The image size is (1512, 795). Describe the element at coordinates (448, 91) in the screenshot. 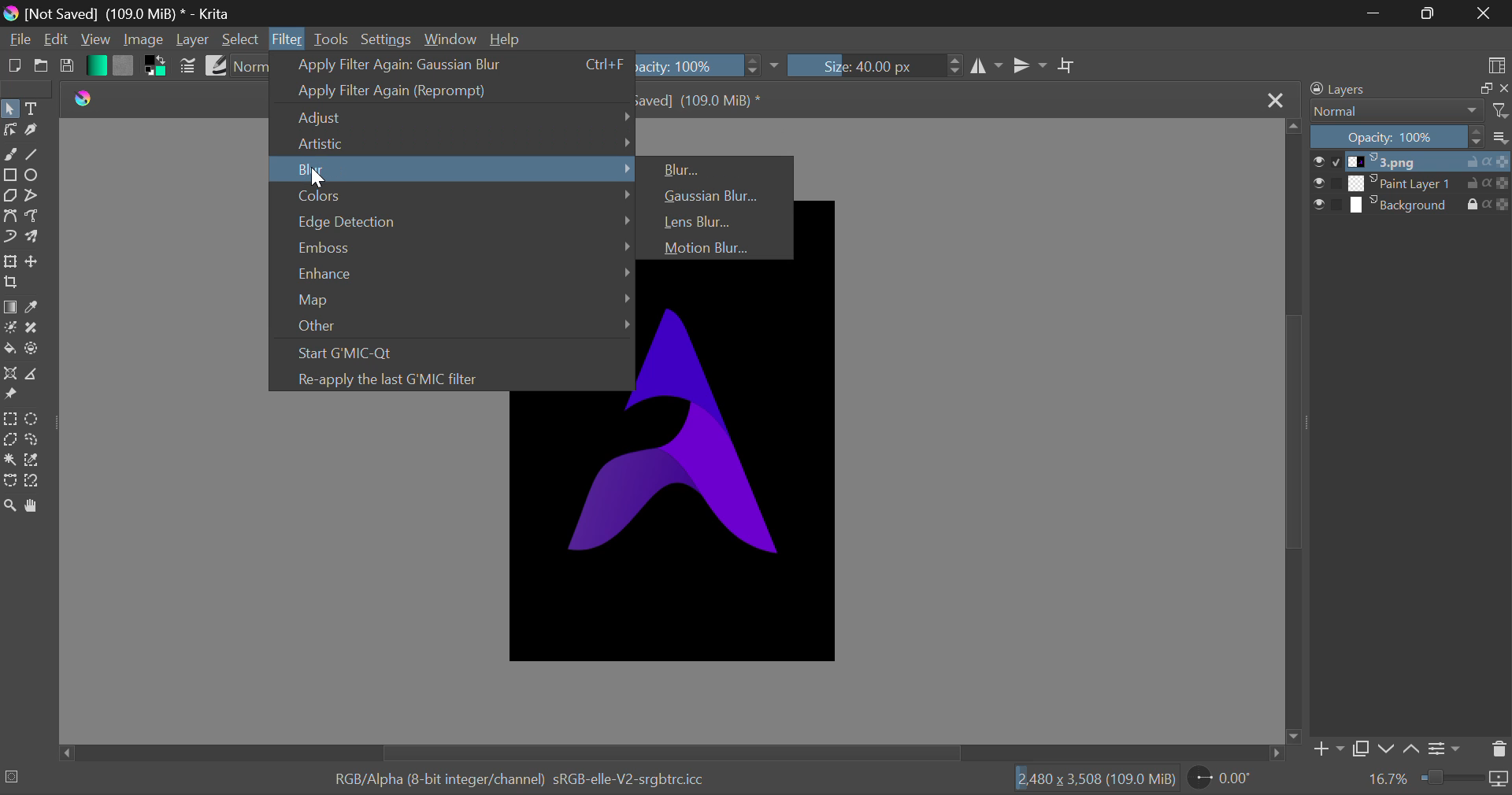

I see `Apply Filter Again` at that location.